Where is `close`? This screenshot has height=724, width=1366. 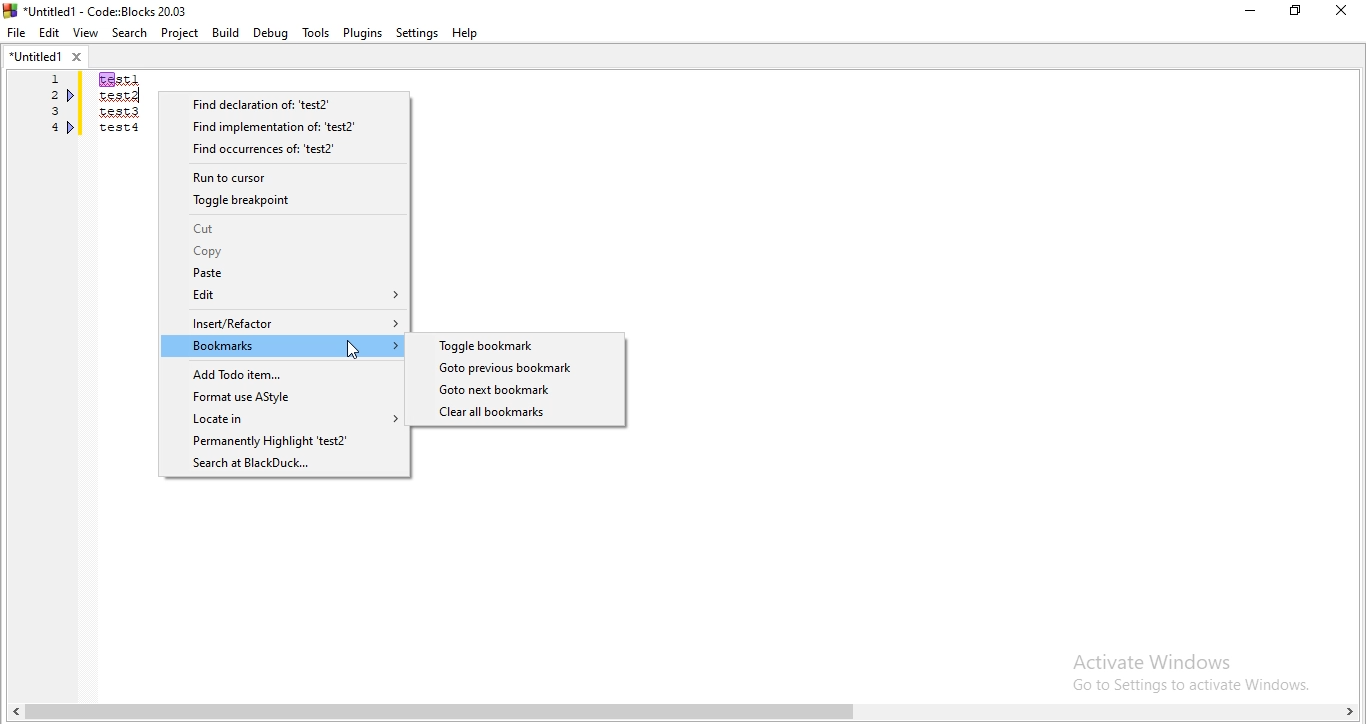 close is located at coordinates (1346, 11).